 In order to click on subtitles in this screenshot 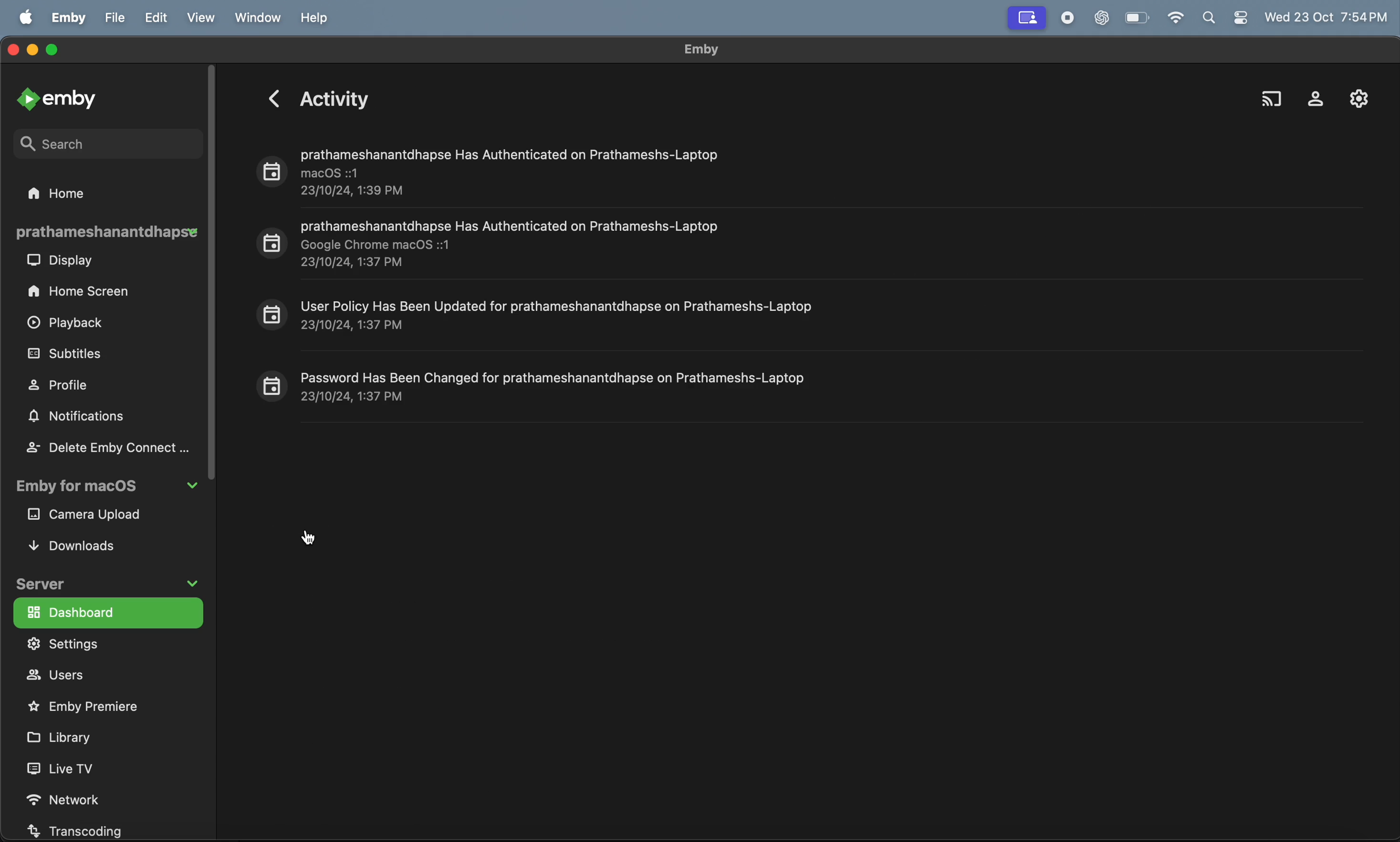, I will do `click(93, 353)`.